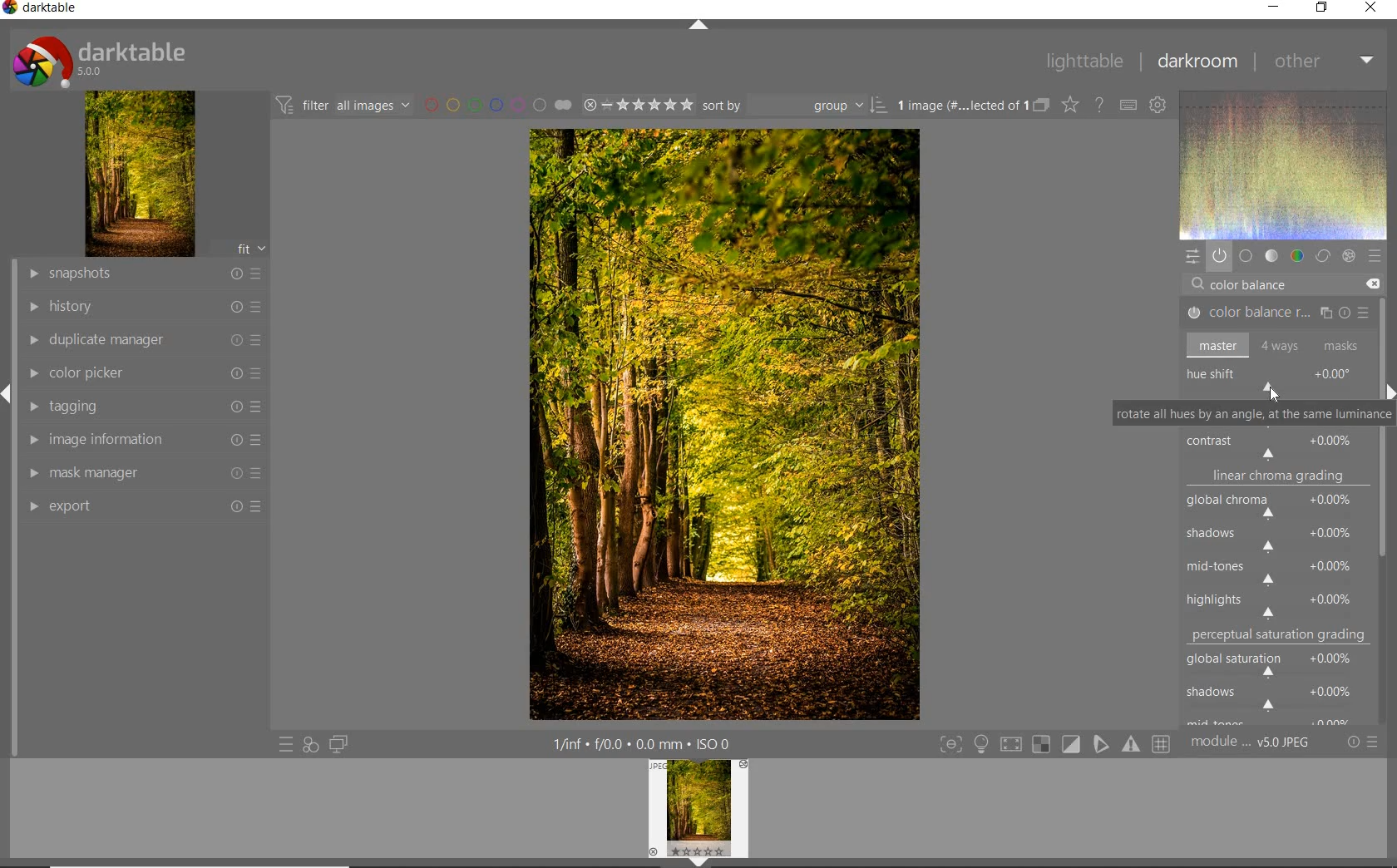  I want to click on darkroom, so click(1198, 61).